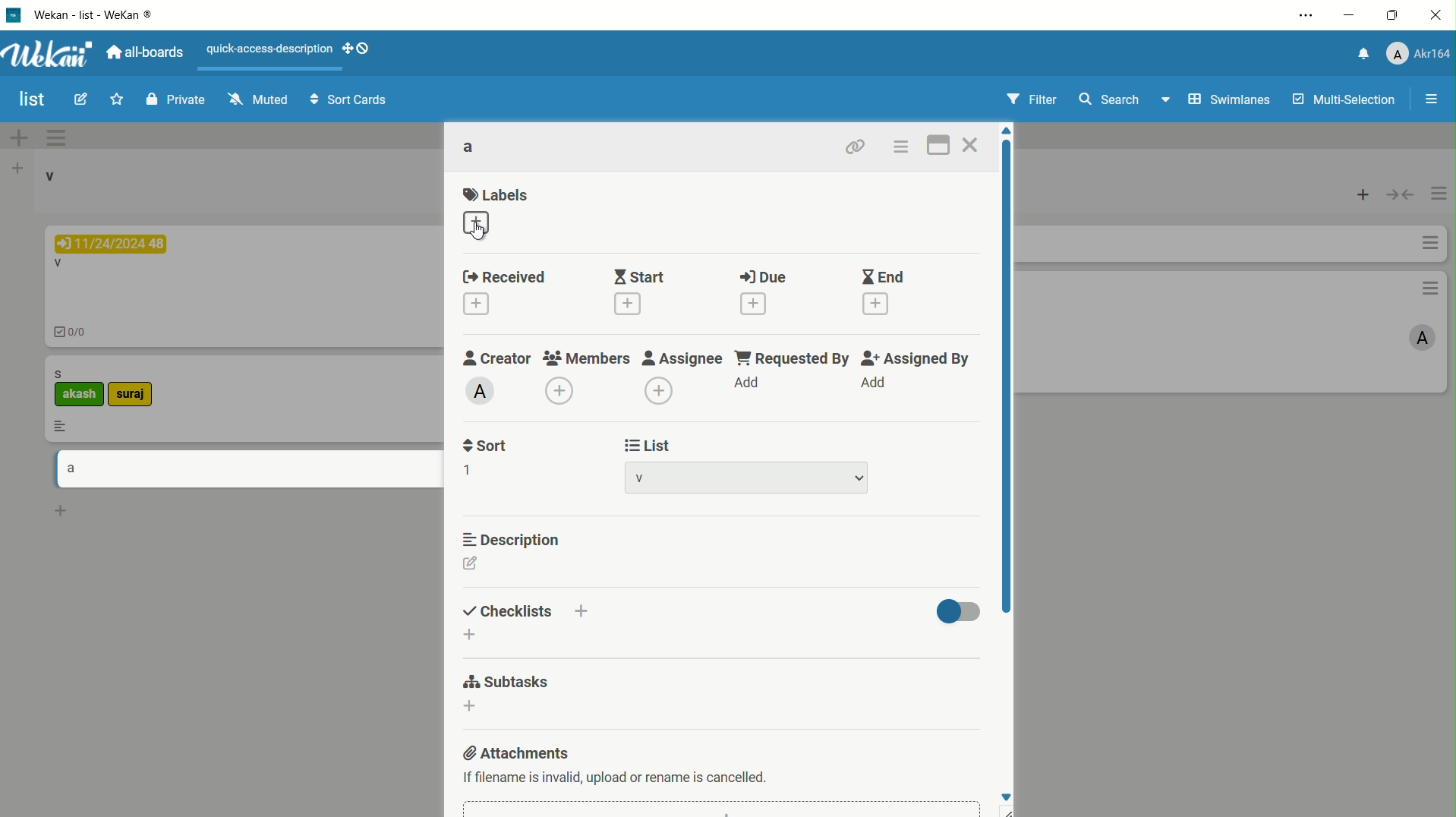 This screenshot has height=817, width=1456. I want to click on sort cards, so click(351, 101).